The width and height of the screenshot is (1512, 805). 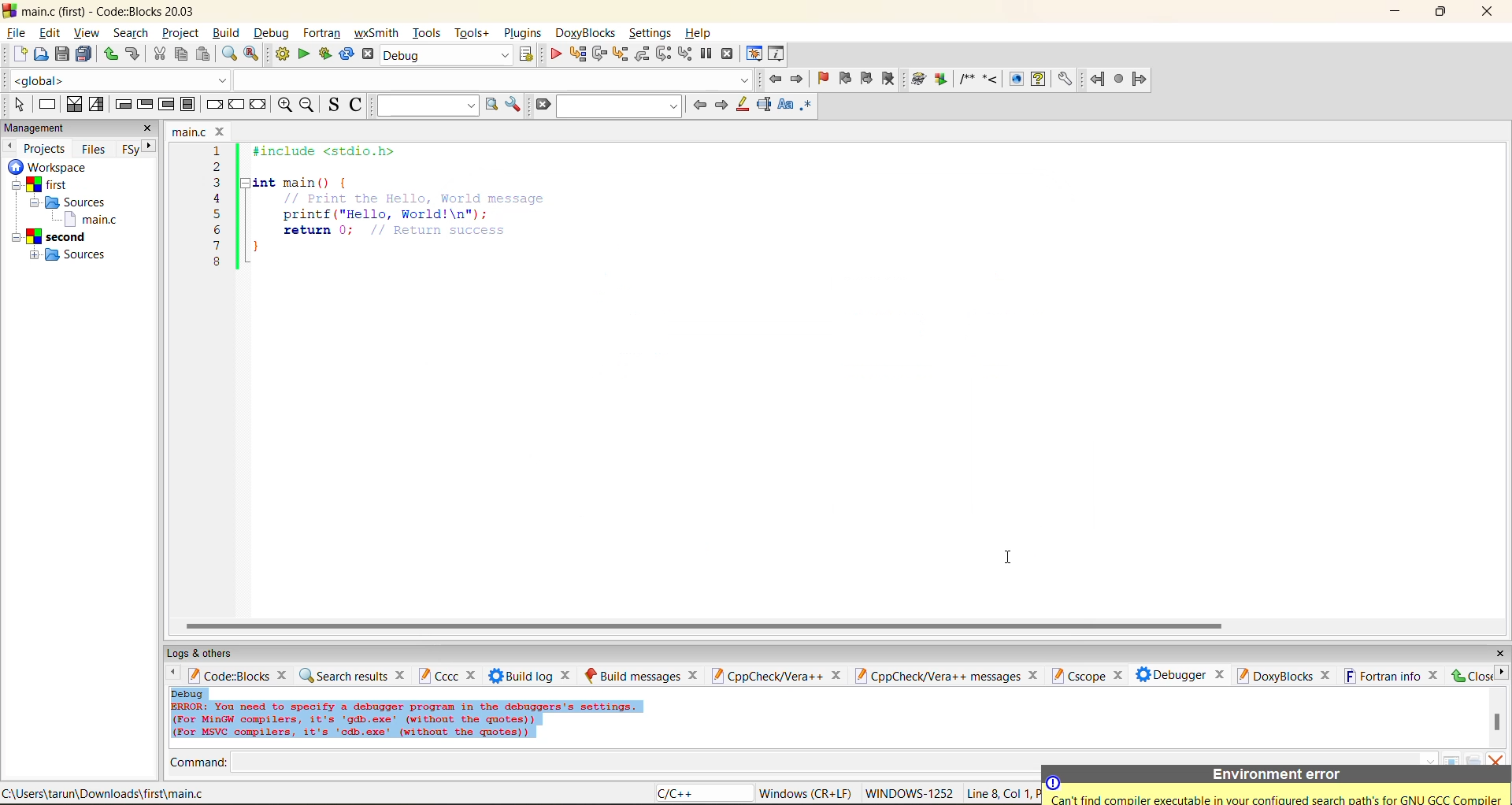 What do you see at coordinates (706, 54) in the screenshot?
I see `break debugger` at bounding box center [706, 54].